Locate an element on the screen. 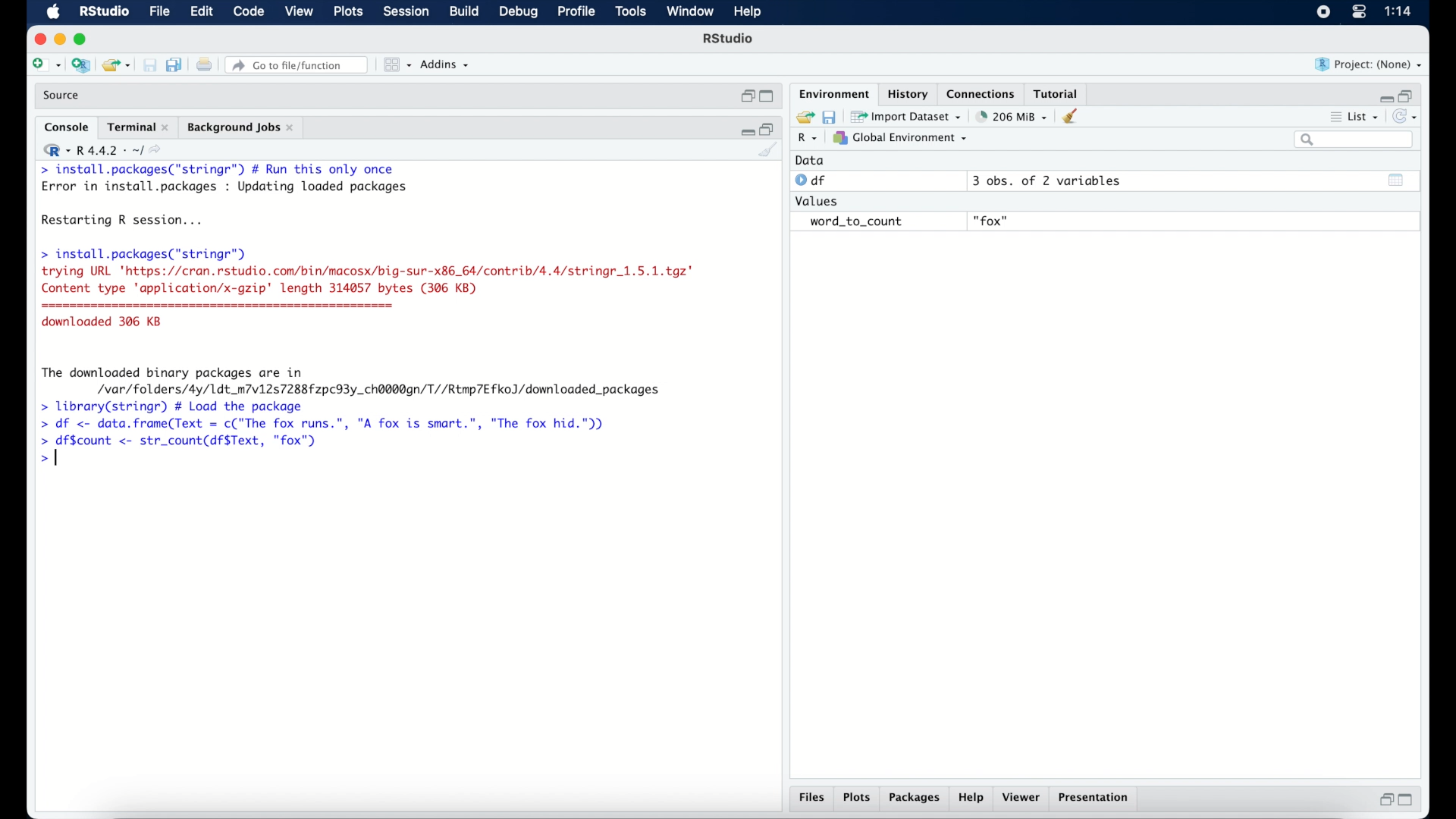  source is located at coordinates (63, 96).